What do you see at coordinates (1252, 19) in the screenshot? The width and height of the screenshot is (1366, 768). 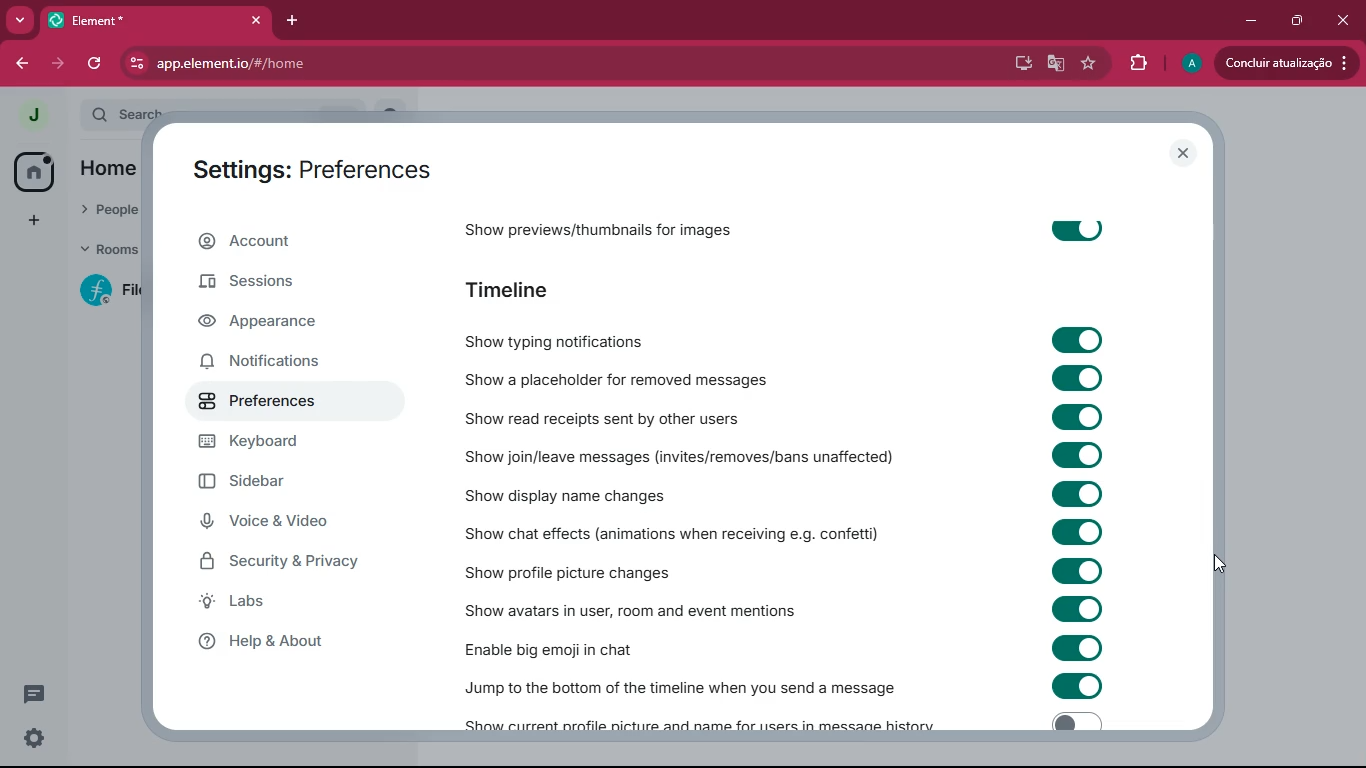 I see `minimize` at bounding box center [1252, 19].